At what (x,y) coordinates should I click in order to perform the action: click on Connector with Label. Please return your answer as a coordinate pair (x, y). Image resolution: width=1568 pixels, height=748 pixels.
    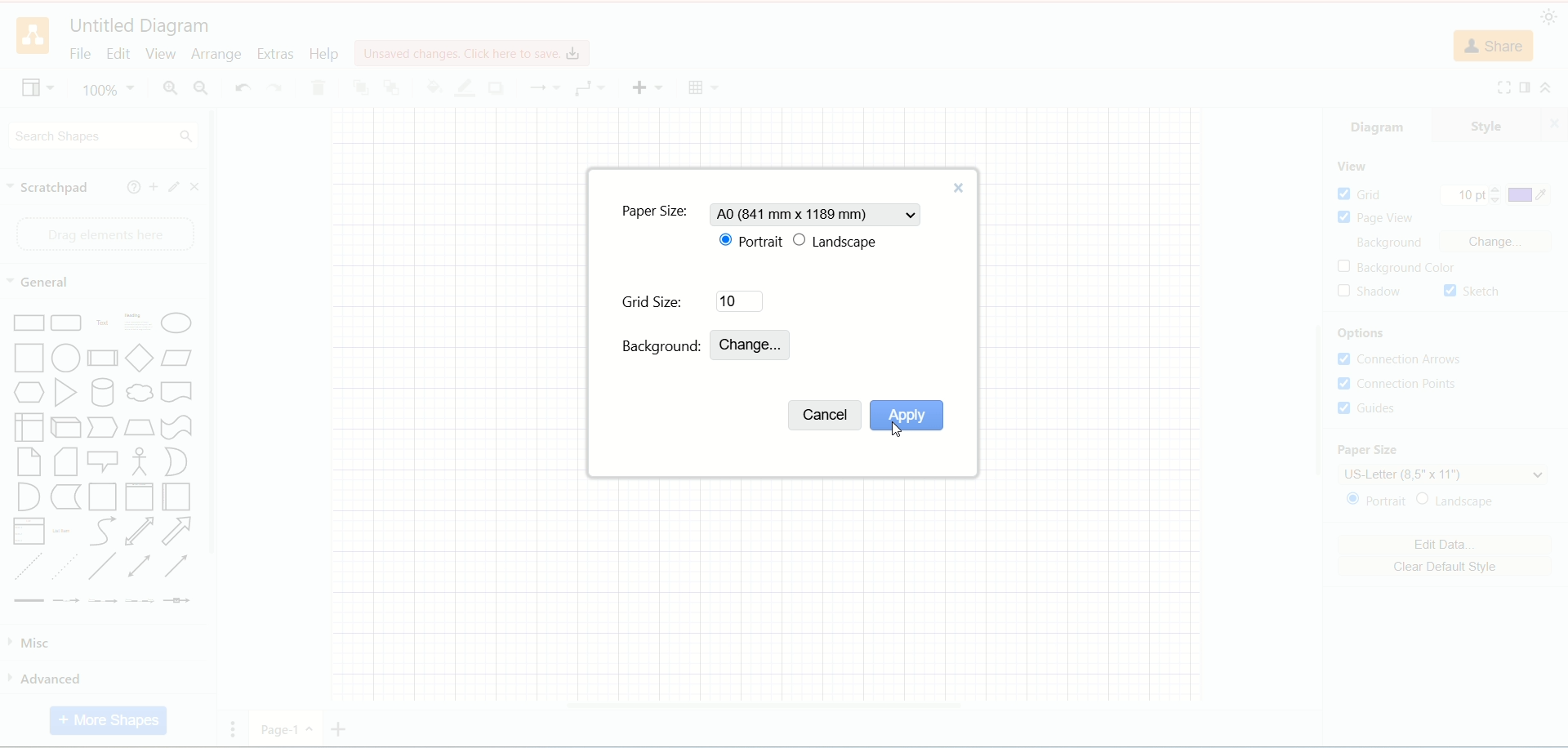
    Looking at the image, I should click on (67, 602).